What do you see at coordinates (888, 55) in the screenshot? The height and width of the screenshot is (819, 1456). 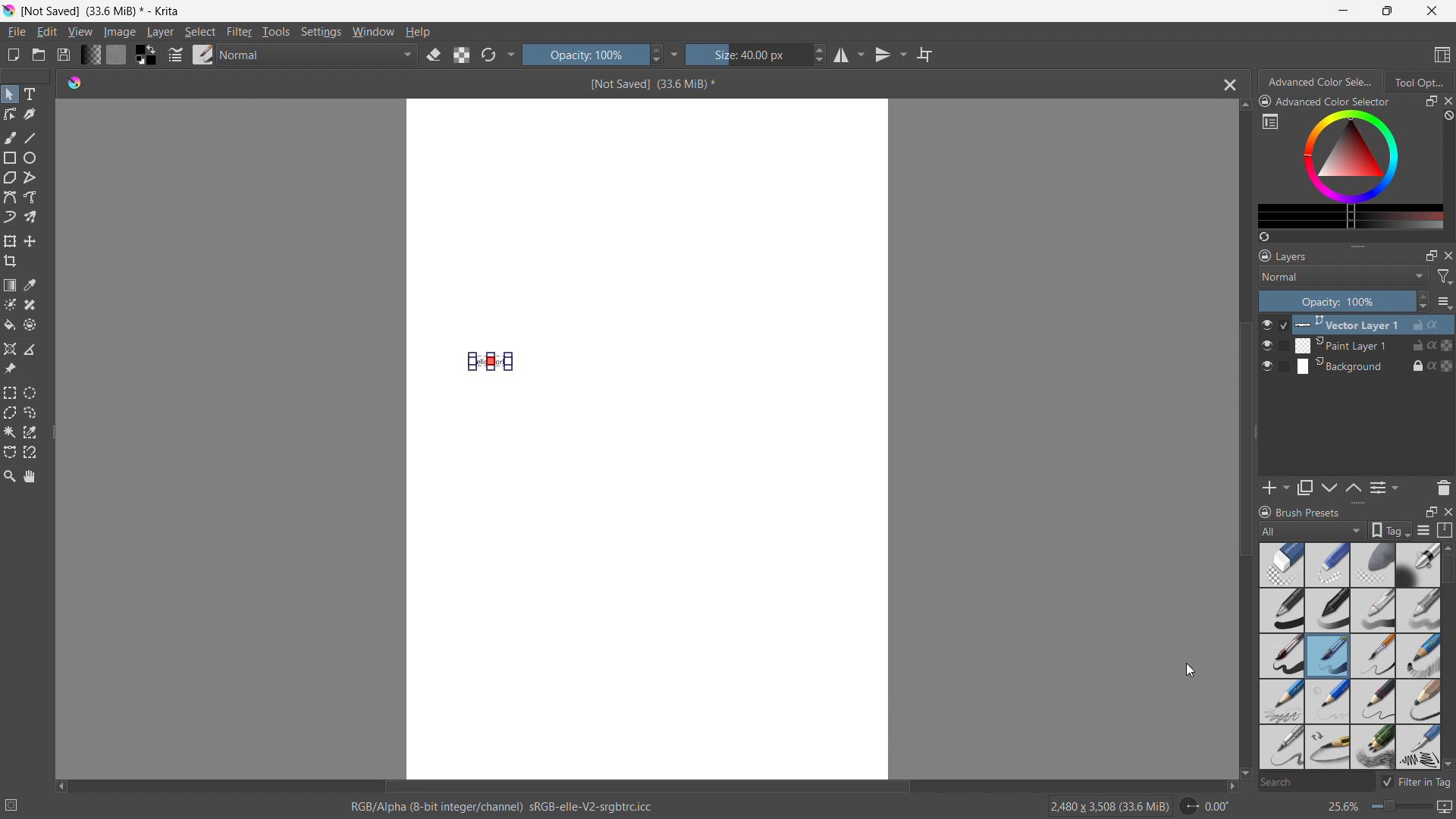 I see `vertical mirror tool` at bounding box center [888, 55].